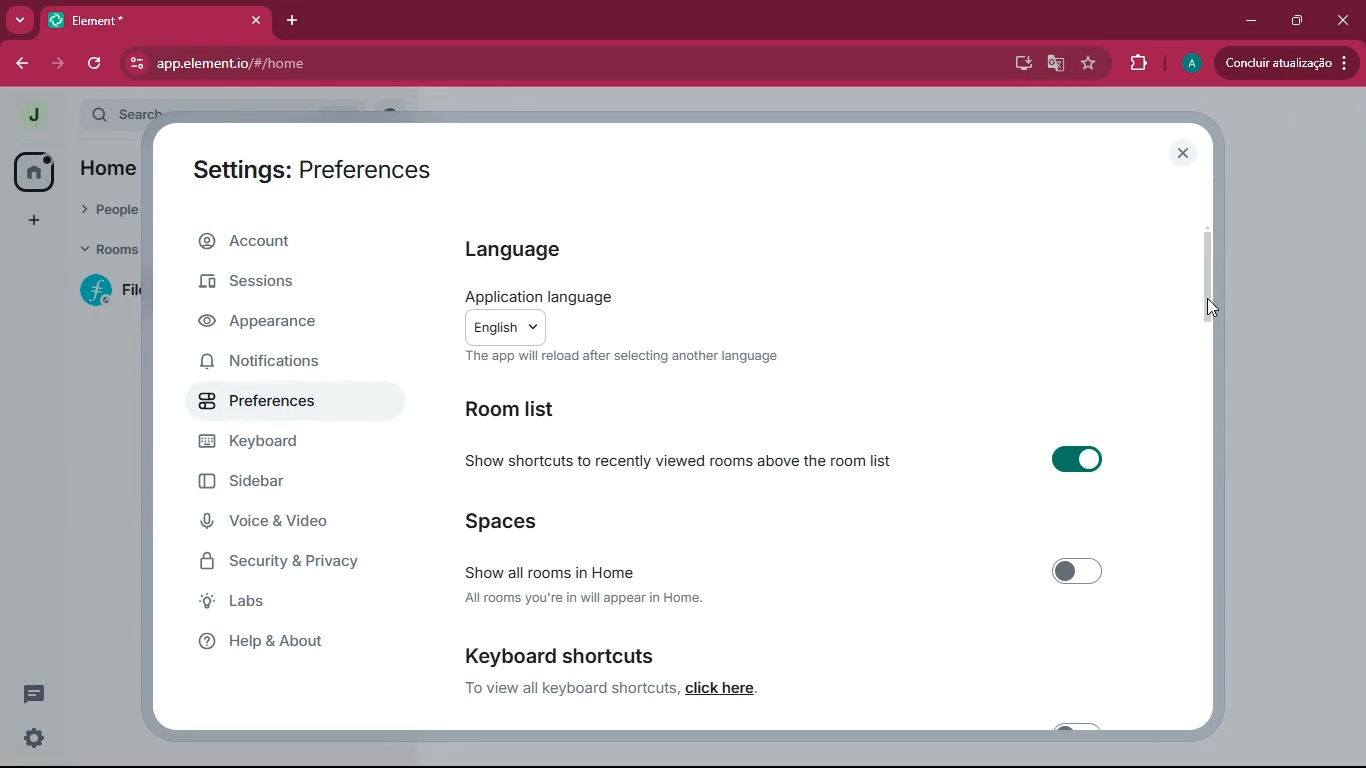  What do you see at coordinates (288, 603) in the screenshot?
I see `labs` at bounding box center [288, 603].